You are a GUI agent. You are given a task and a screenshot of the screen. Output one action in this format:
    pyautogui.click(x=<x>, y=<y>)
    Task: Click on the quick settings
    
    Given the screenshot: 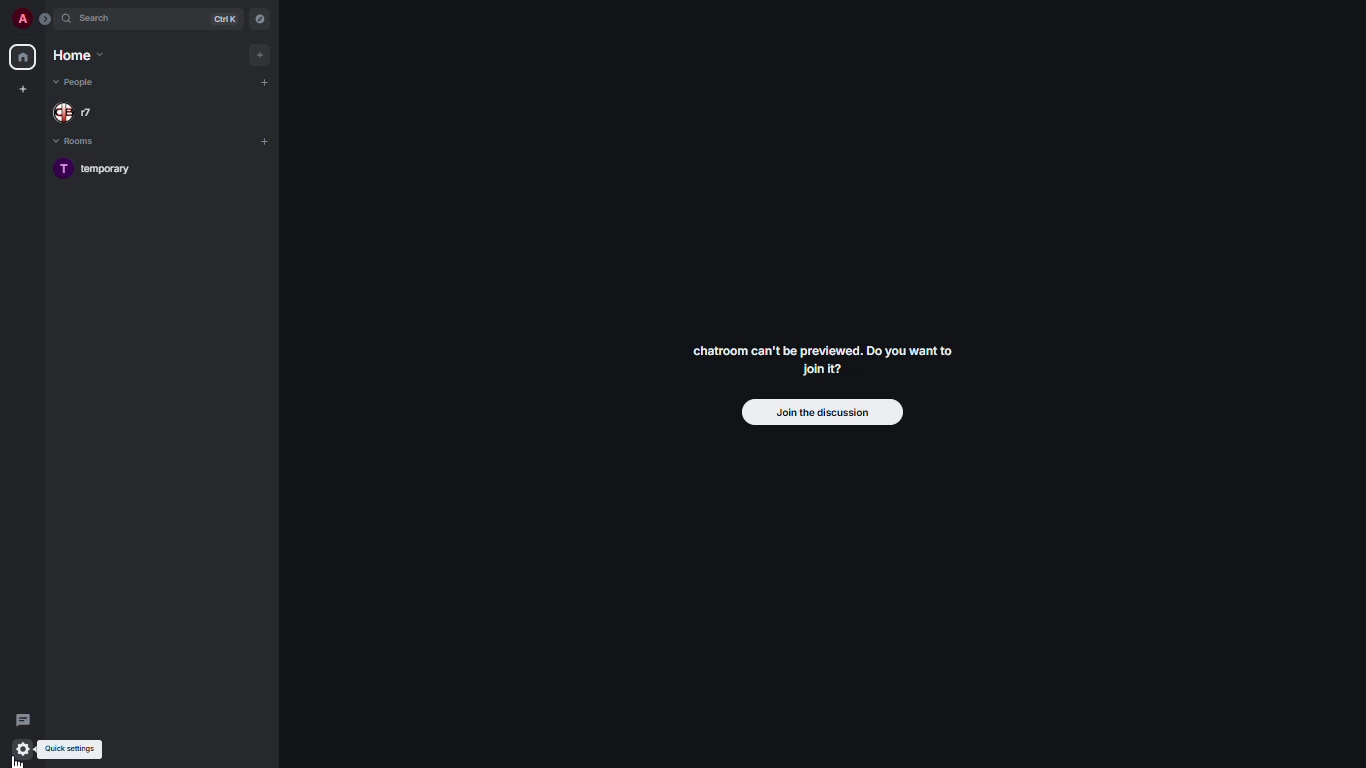 What is the action you would take?
    pyautogui.click(x=25, y=749)
    